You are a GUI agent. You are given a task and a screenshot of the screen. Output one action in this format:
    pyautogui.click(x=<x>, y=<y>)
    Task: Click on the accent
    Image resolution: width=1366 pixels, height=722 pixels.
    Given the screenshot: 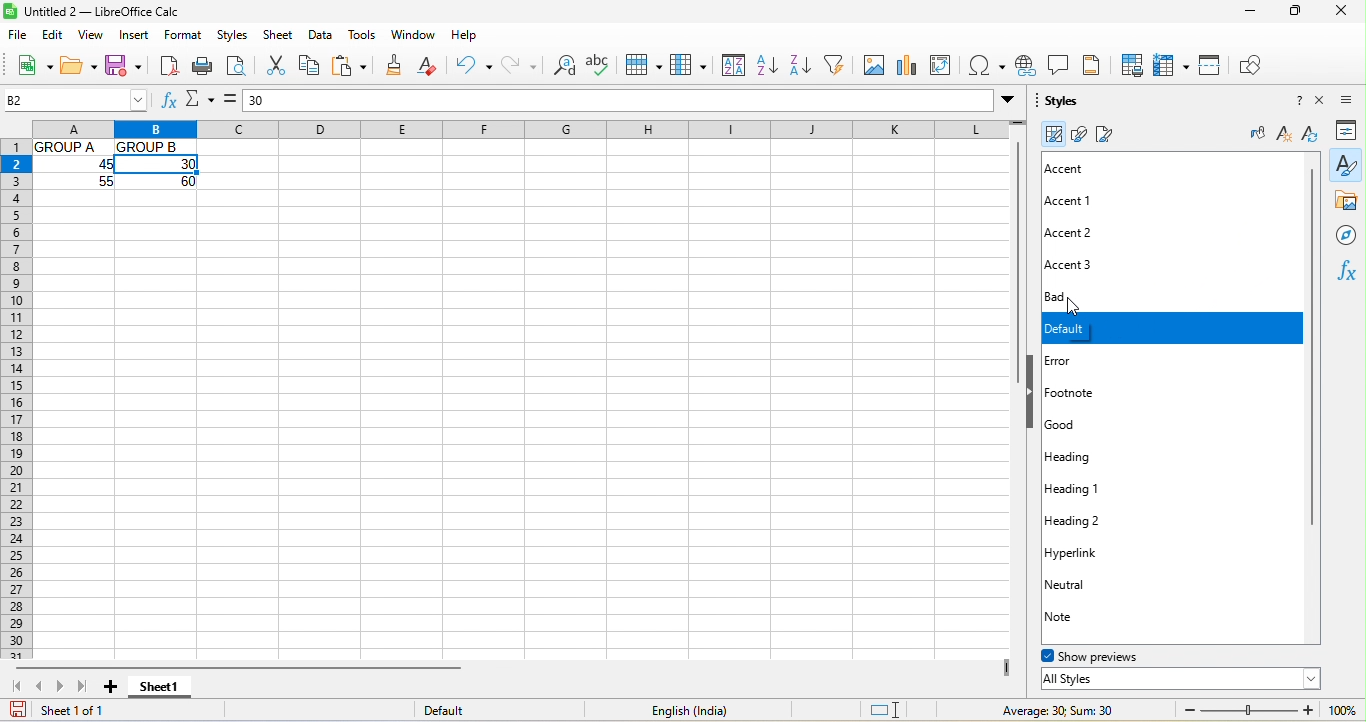 What is the action you would take?
    pyautogui.click(x=1083, y=169)
    